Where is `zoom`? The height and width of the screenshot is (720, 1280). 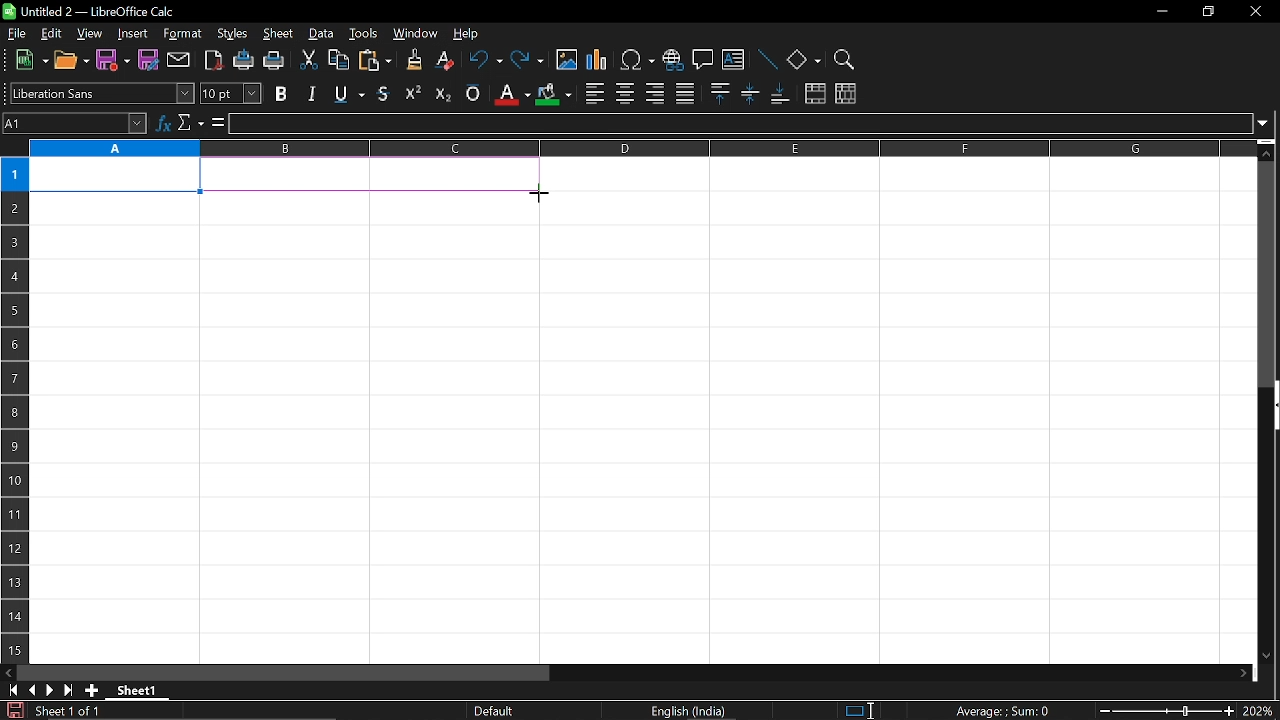 zoom is located at coordinates (845, 57).